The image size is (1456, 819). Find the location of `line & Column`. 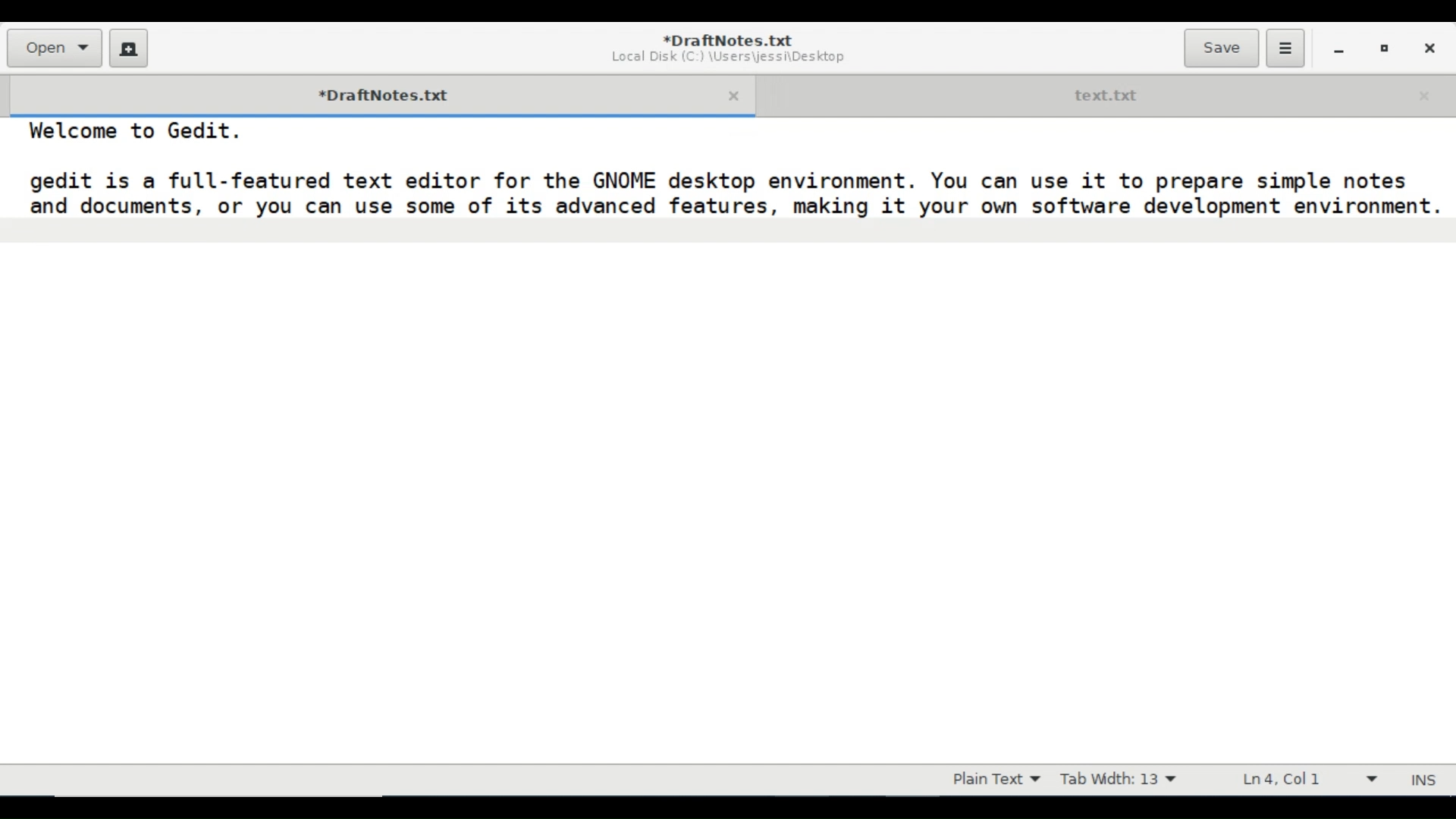

line & Column is located at coordinates (1302, 779).